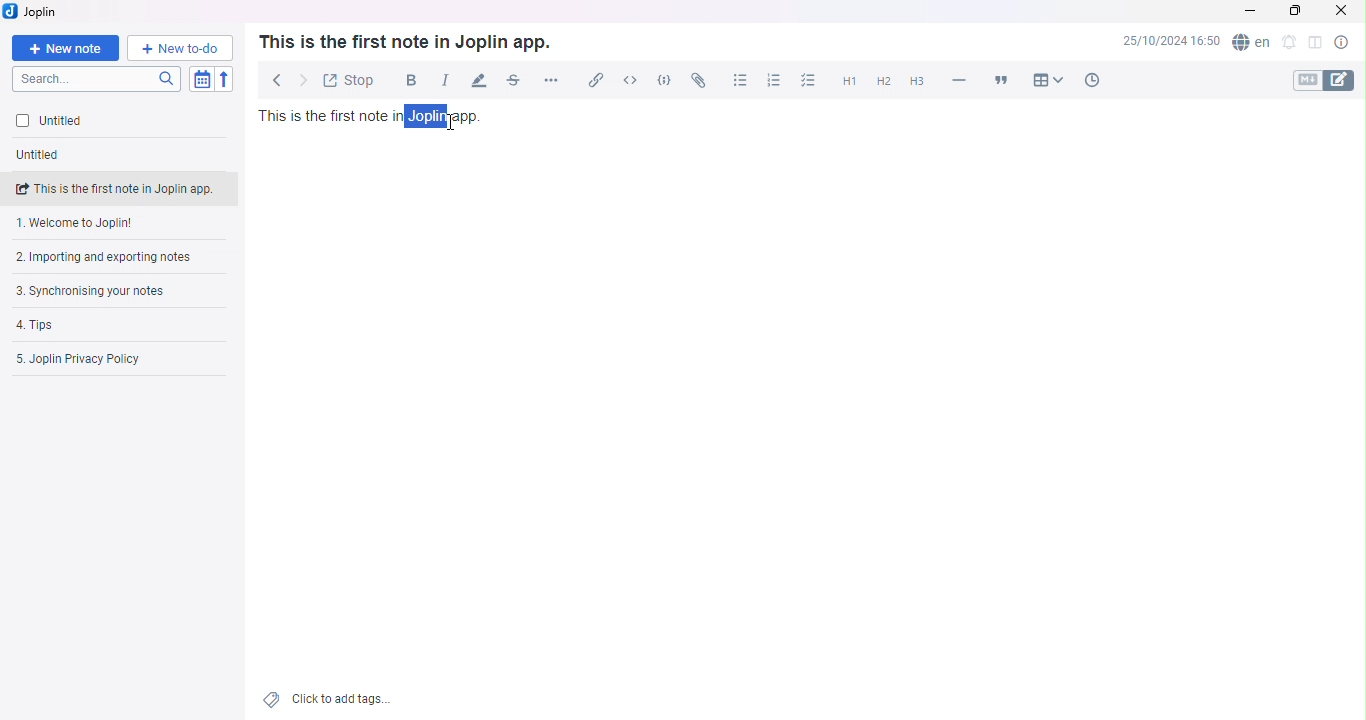  I want to click on More options, so click(554, 79).